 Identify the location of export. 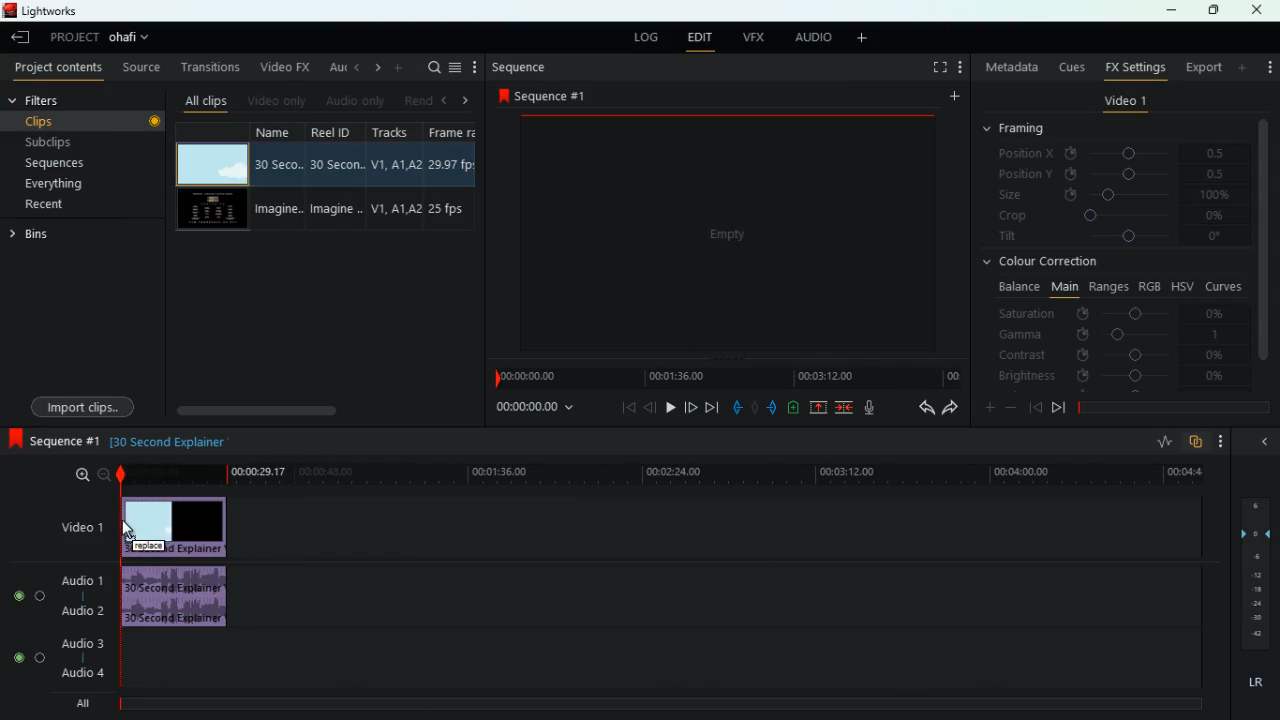
(1202, 68).